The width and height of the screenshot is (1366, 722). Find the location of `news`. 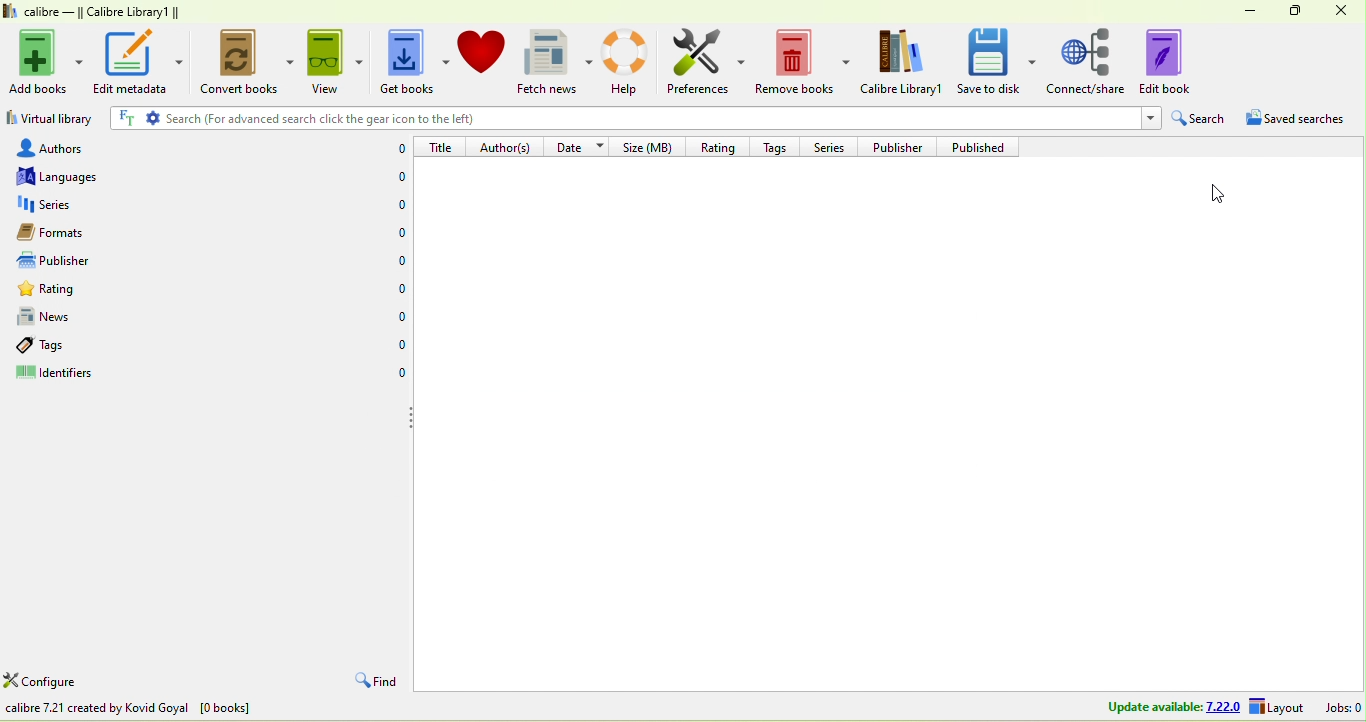

news is located at coordinates (84, 317).